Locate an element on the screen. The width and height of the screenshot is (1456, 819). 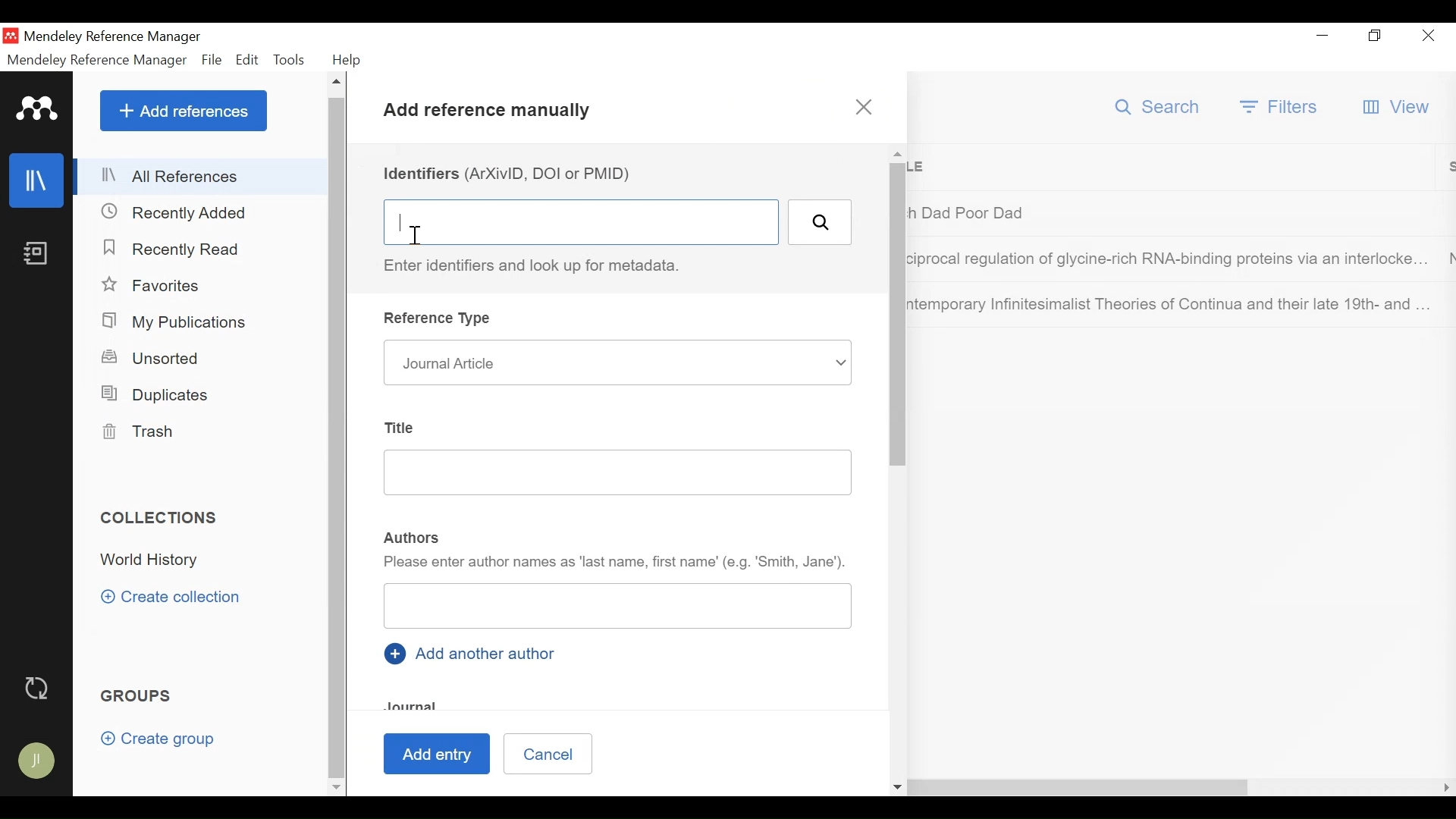
Edit  is located at coordinates (247, 59).